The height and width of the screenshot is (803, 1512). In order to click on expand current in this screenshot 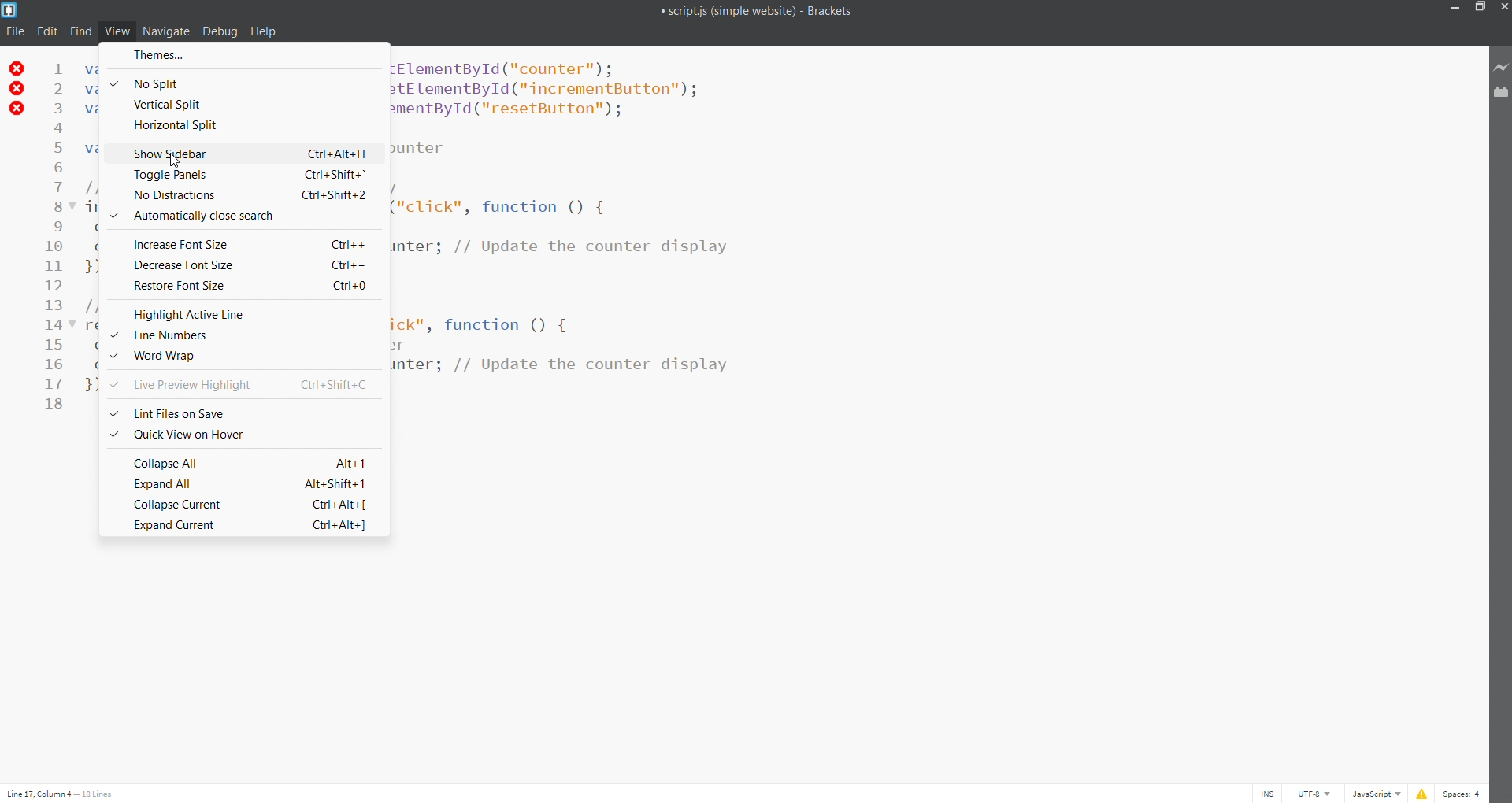, I will do `click(235, 526)`.